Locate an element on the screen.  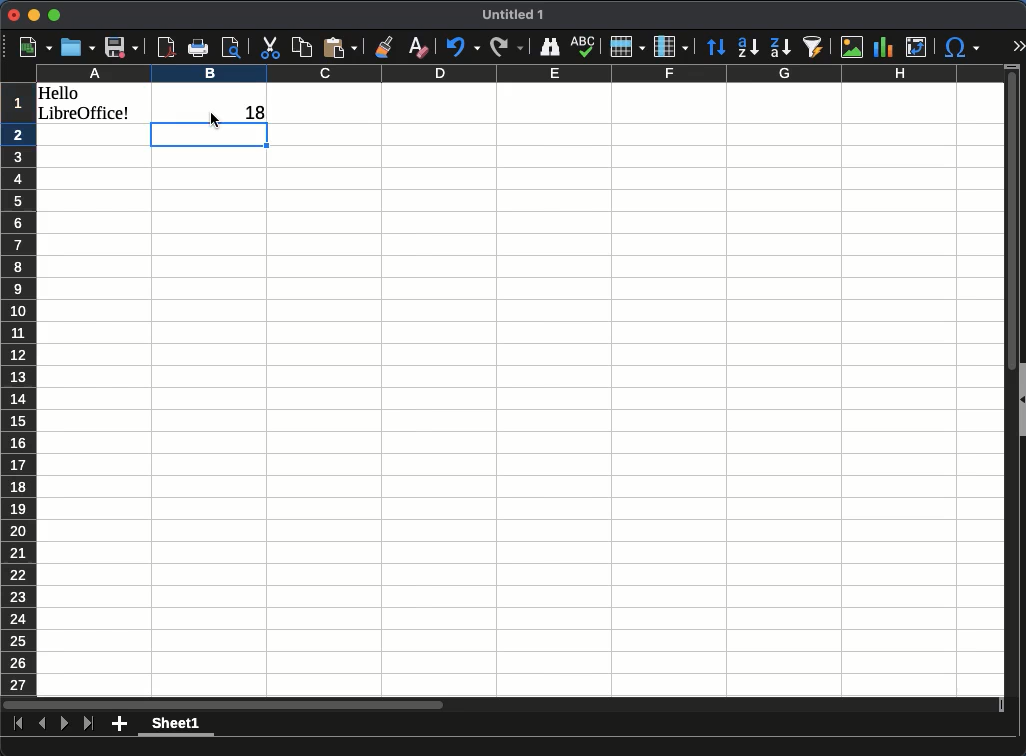
cut is located at coordinates (268, 47).